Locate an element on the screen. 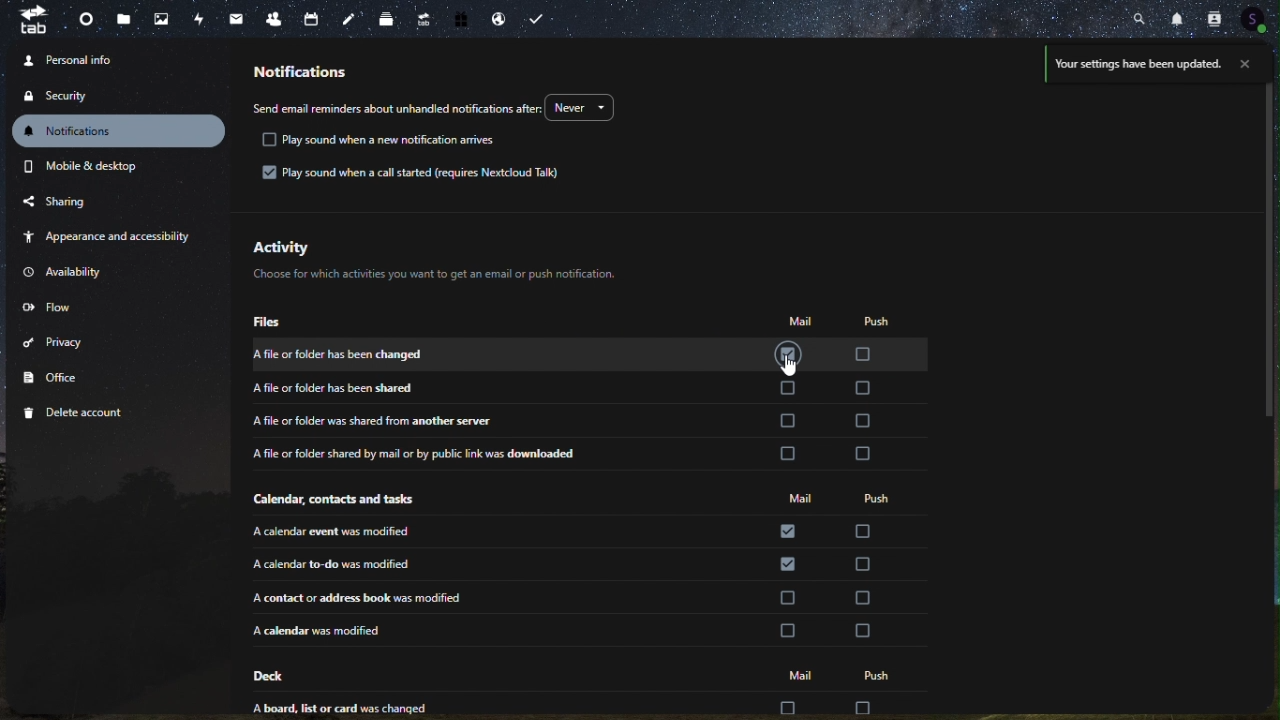 This screenshot has width=1280, height=720. a board,list or card was changed is located at coordinates (348, 707).